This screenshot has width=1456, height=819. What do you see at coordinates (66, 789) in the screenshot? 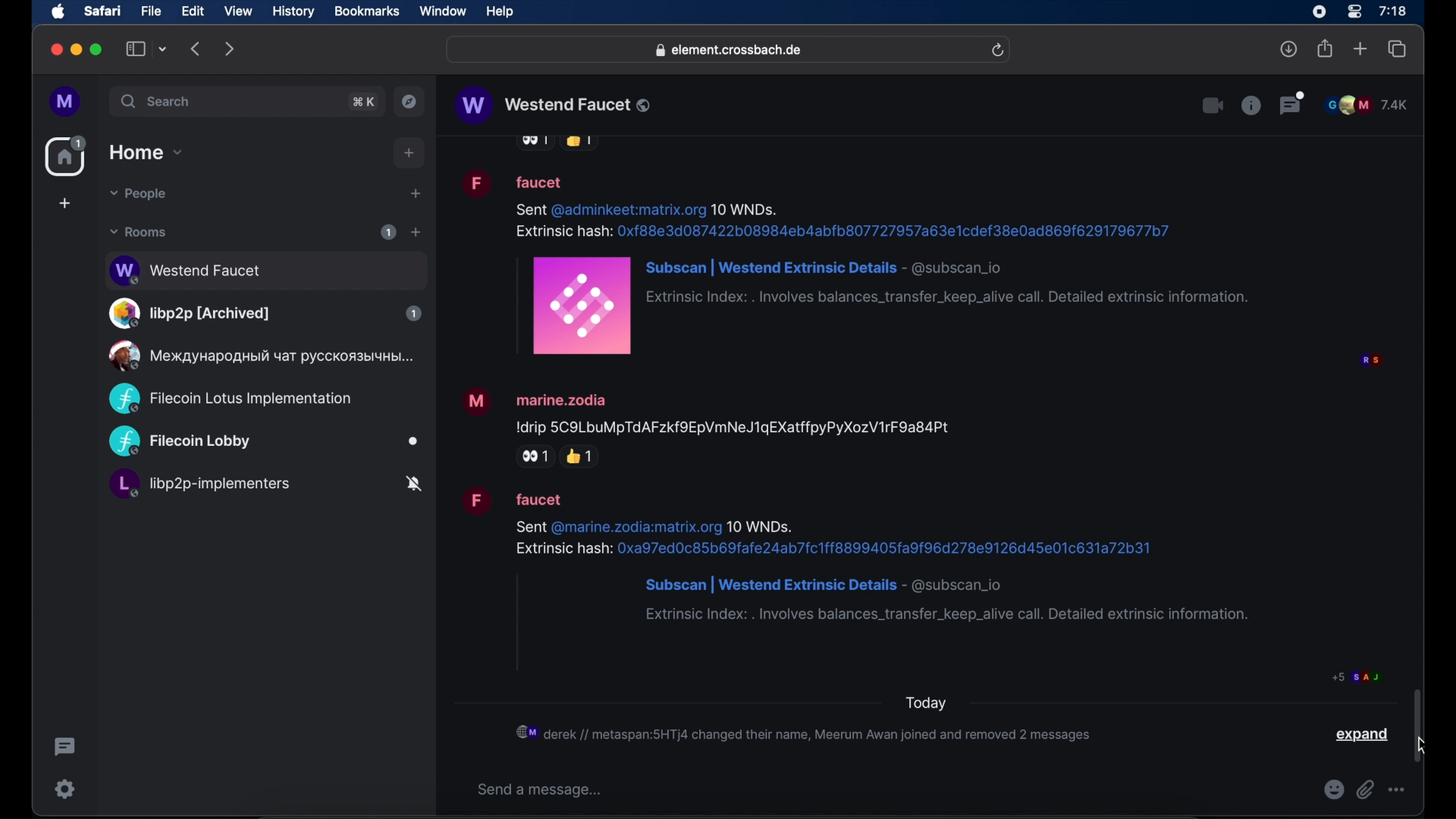
I see `settings` at bounding box center [66, 789].